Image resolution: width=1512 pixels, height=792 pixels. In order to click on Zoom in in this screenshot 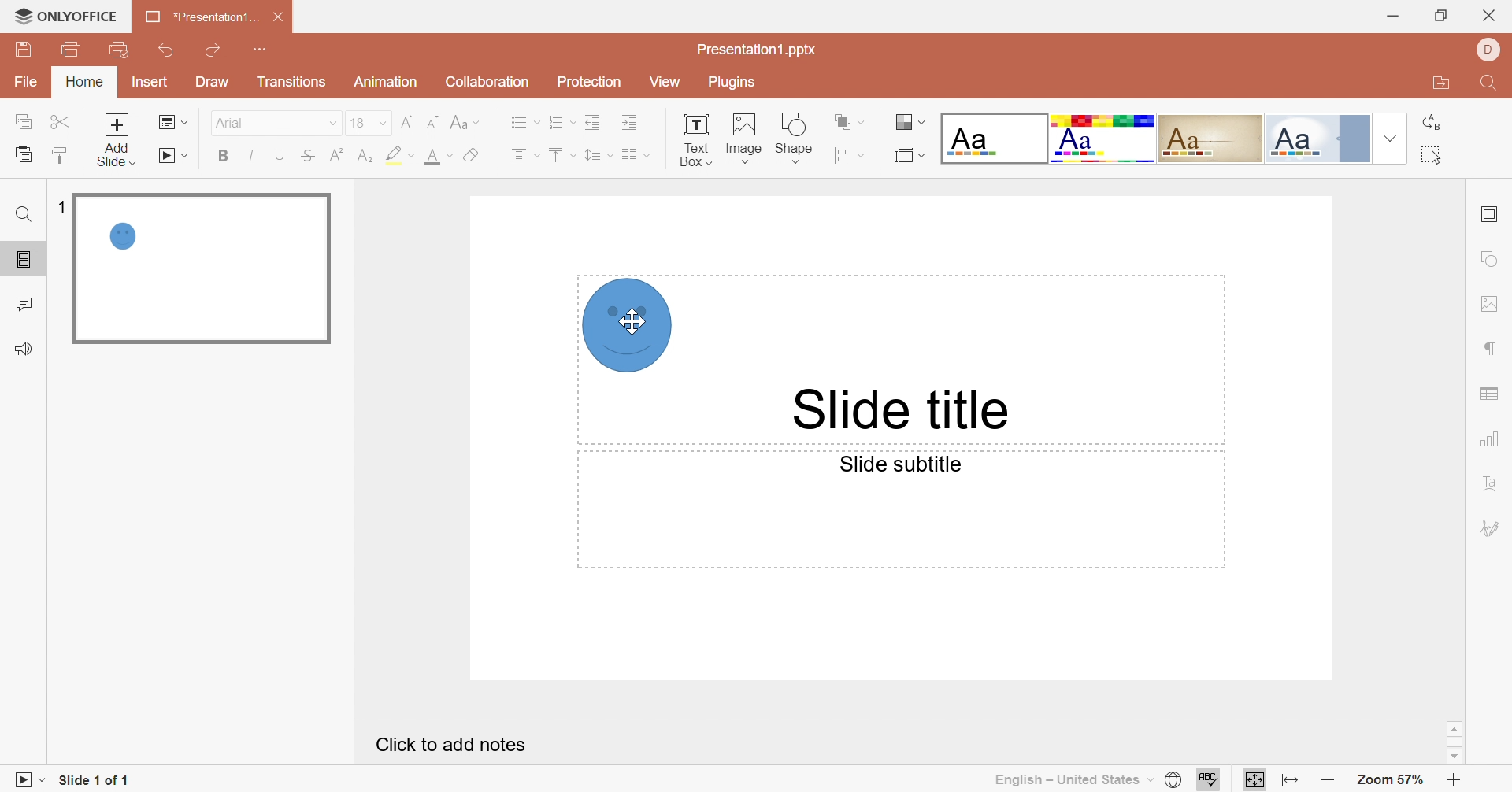, I will do `click(1454, 781)`.